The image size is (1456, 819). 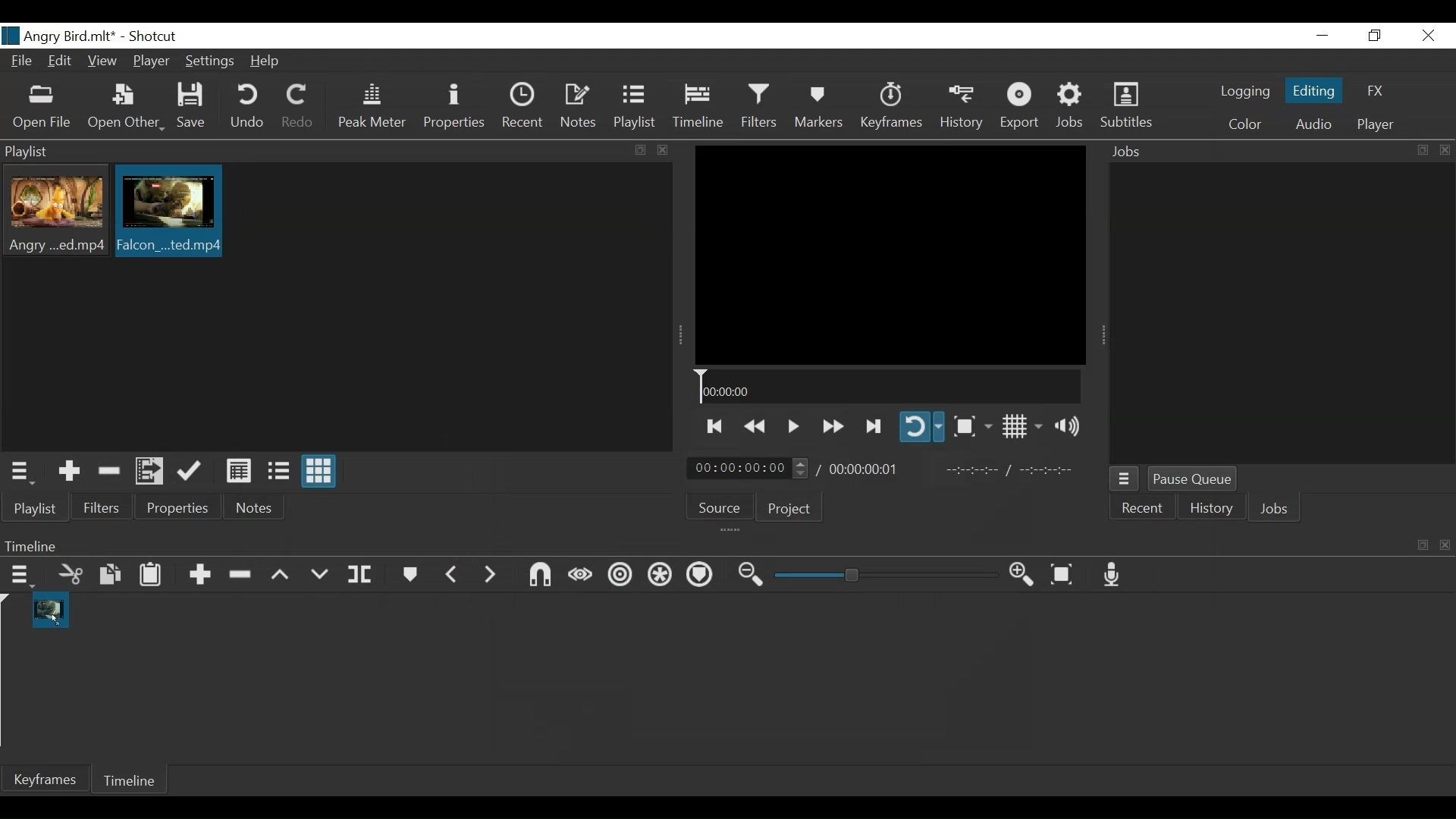 What do you see at coordinates (1322, 36) in the screenshot?
I see `minimize` at bounding box center [1322, 36].